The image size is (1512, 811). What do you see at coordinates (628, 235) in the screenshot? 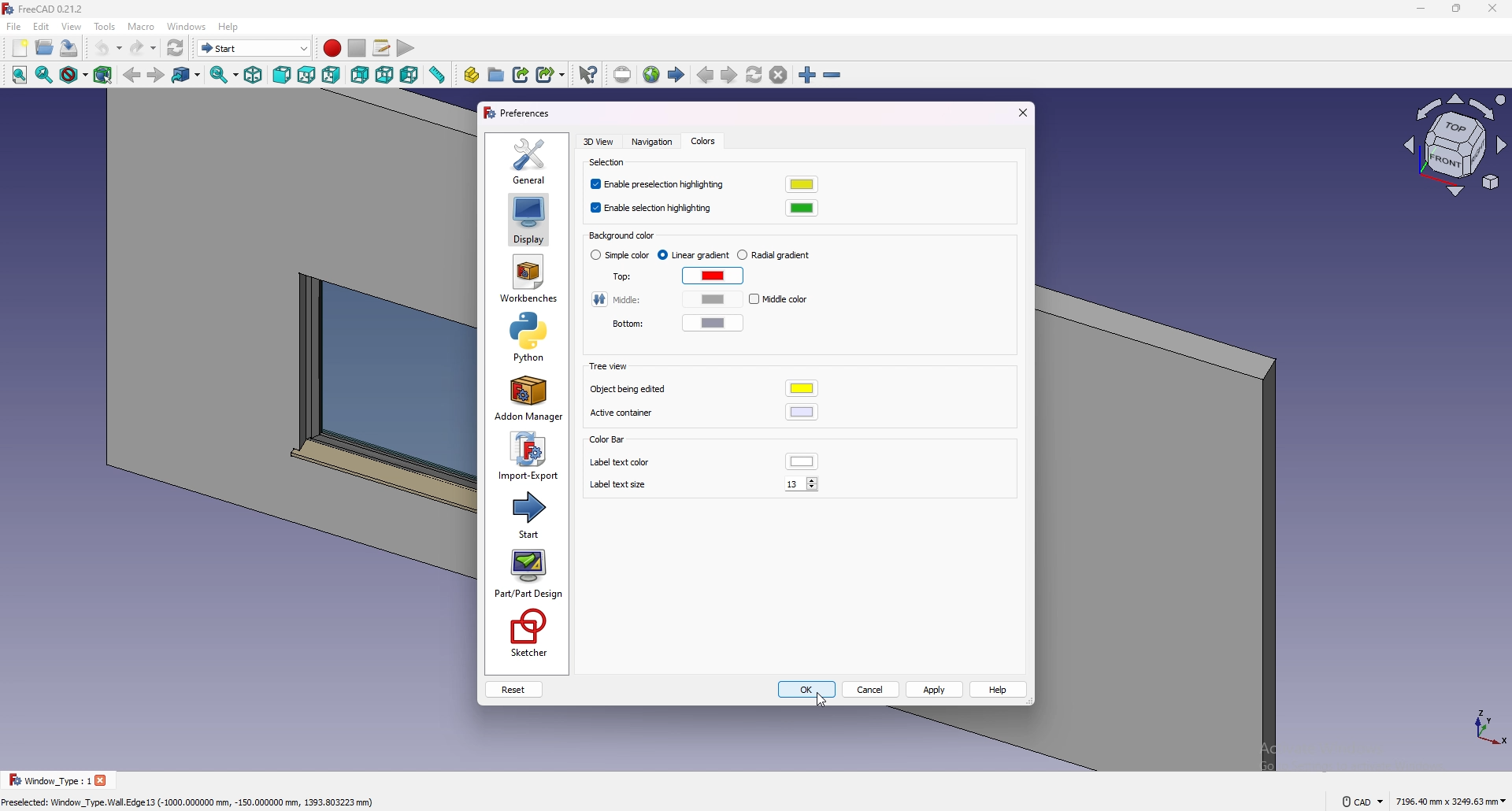
I see `background color` at bounding box center [628, 235].